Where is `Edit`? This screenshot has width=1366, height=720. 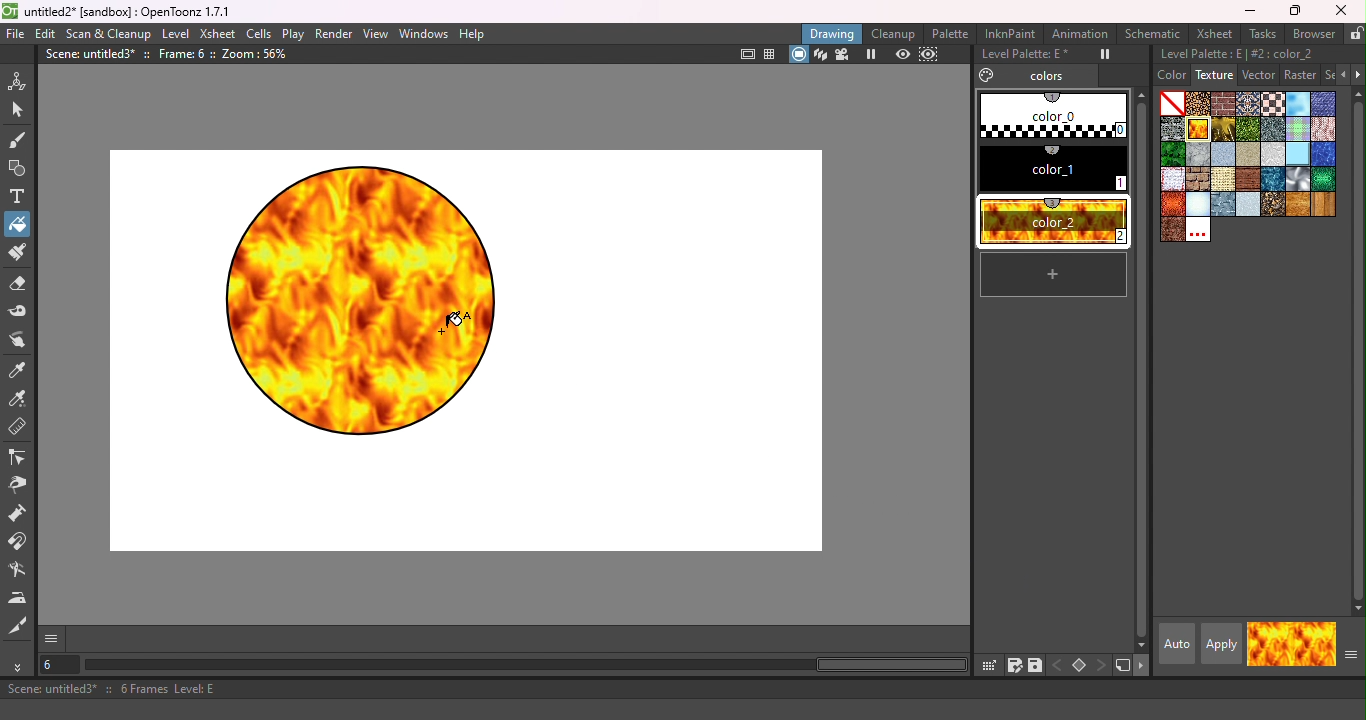
Edit is located at coordinates (46, 34).